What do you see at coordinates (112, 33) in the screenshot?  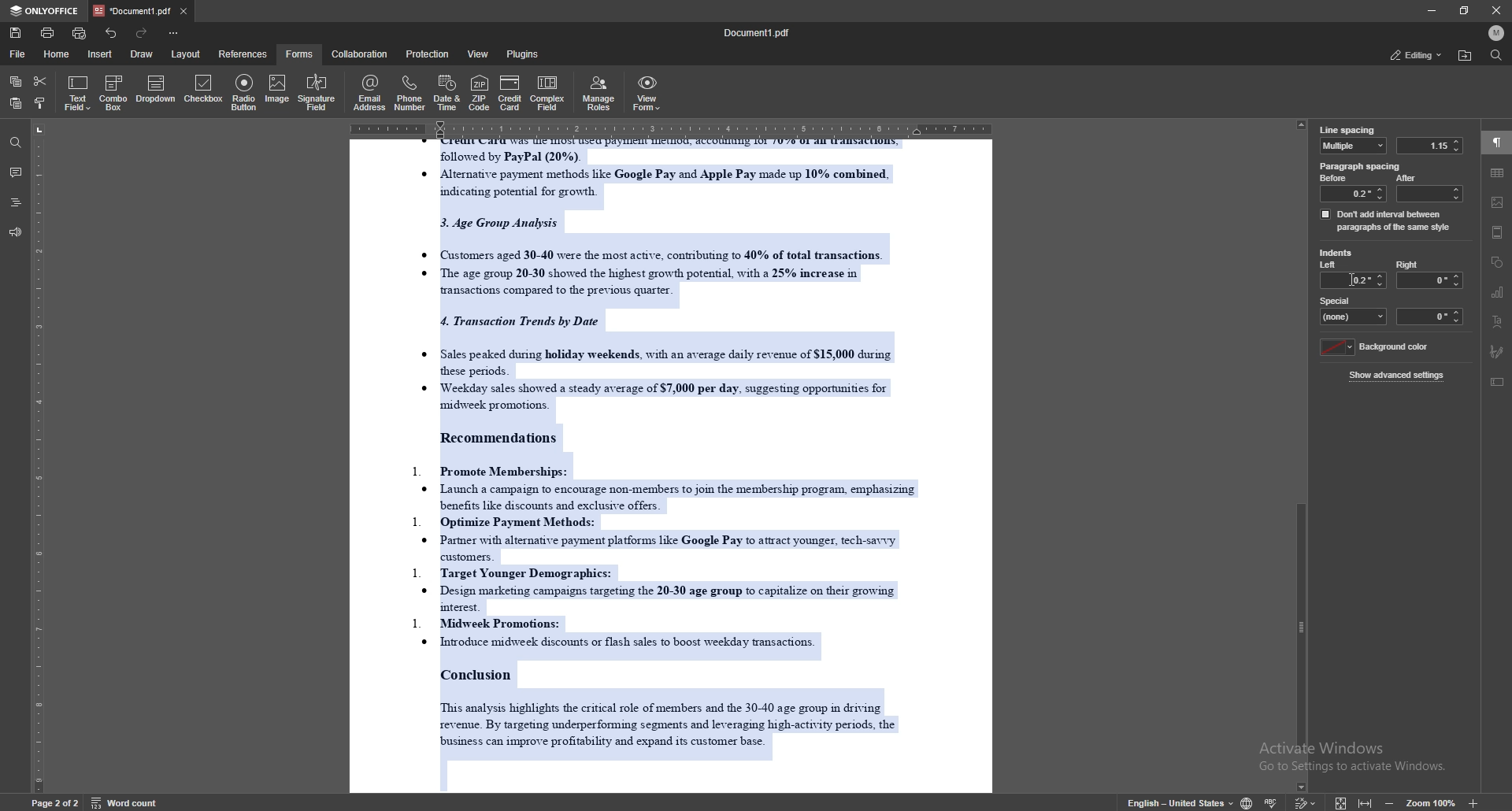 I see `undo` at bounding box center [112, 33].